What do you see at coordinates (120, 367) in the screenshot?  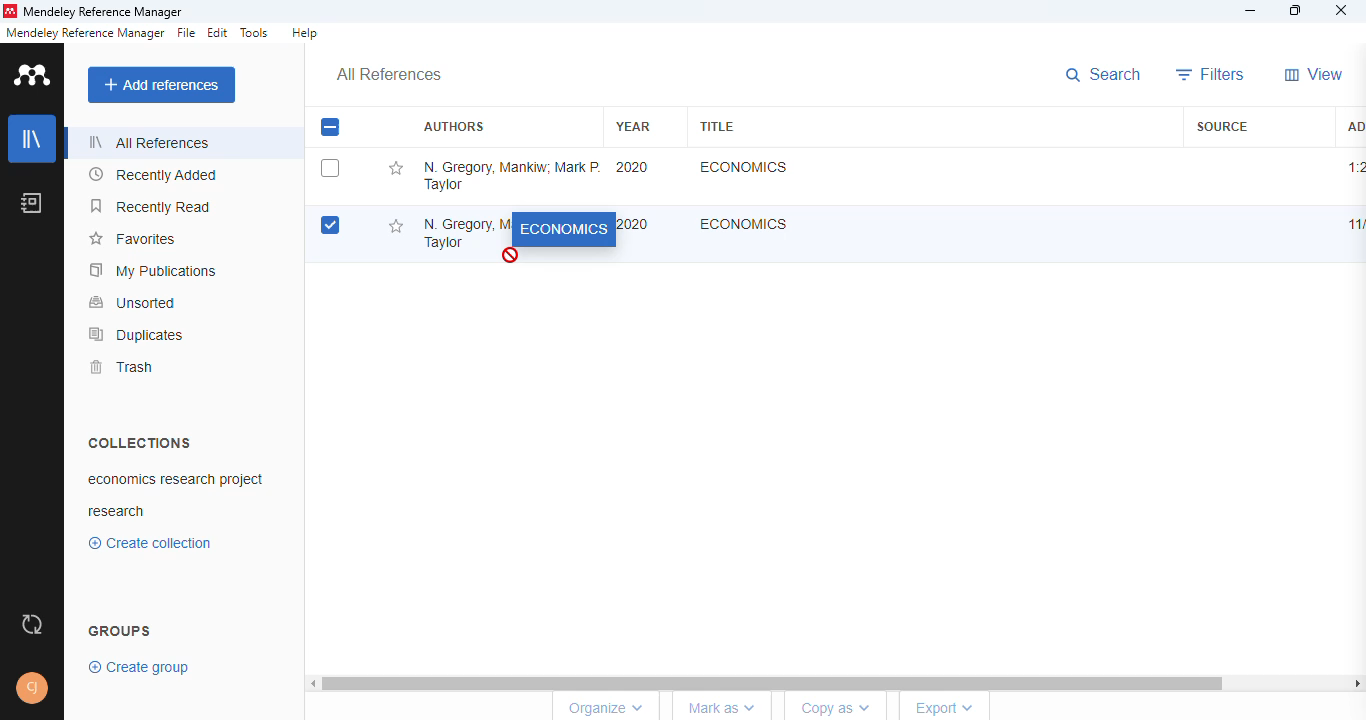 I see `trash` at bounding box center [120, 367].